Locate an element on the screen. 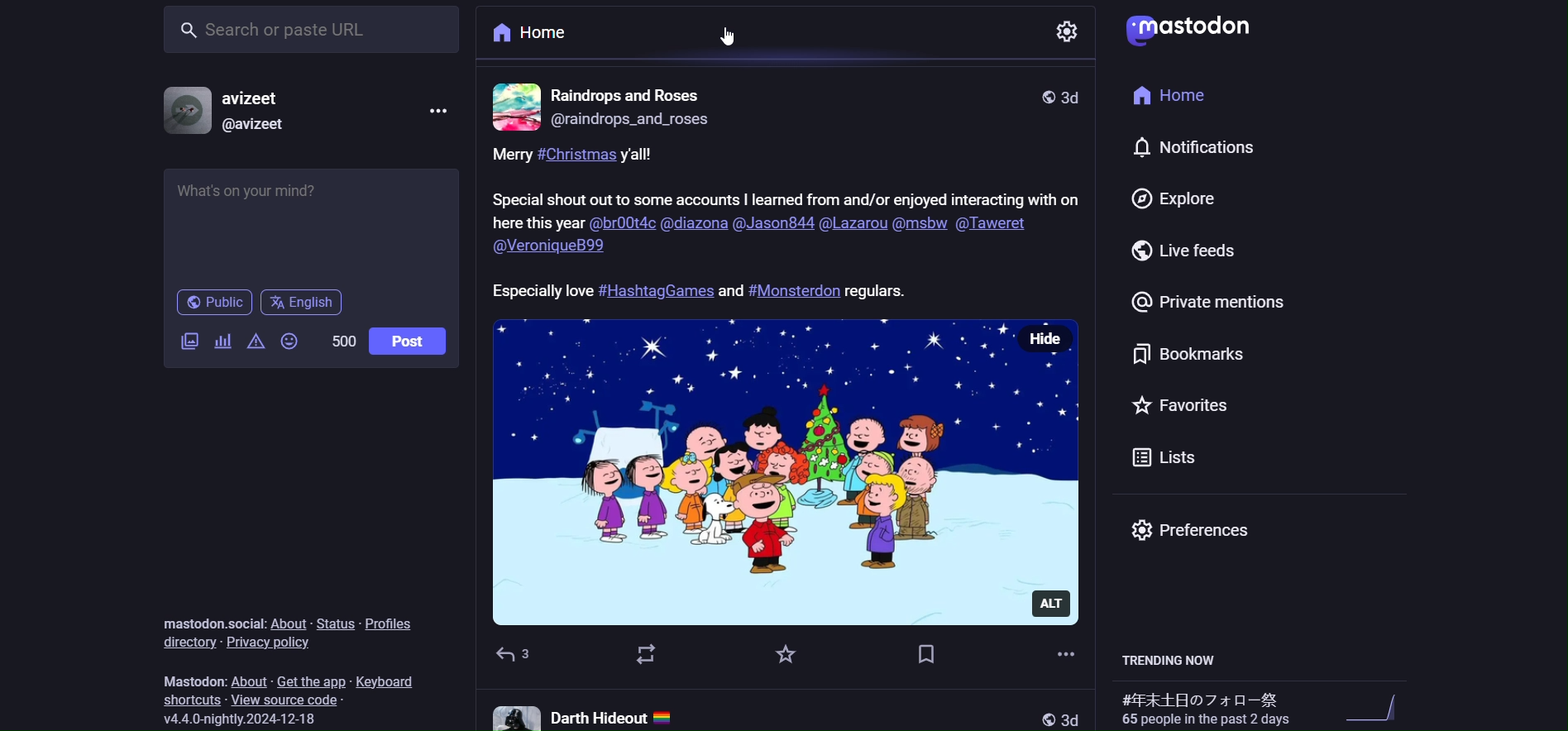  boost is located at coordinates (643, 657).